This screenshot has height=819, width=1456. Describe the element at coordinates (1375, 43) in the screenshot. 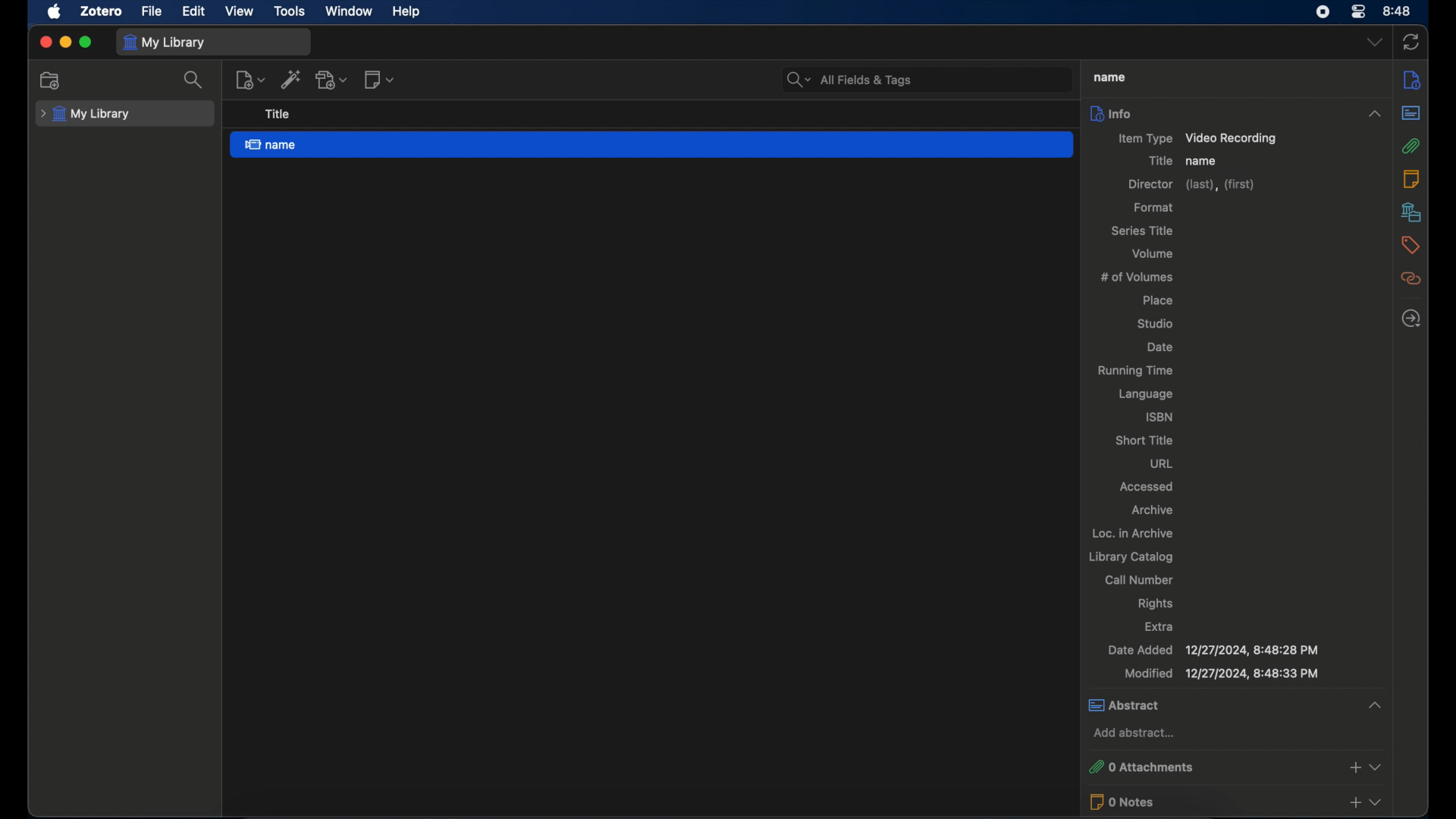

I see `dropdown` at that location.